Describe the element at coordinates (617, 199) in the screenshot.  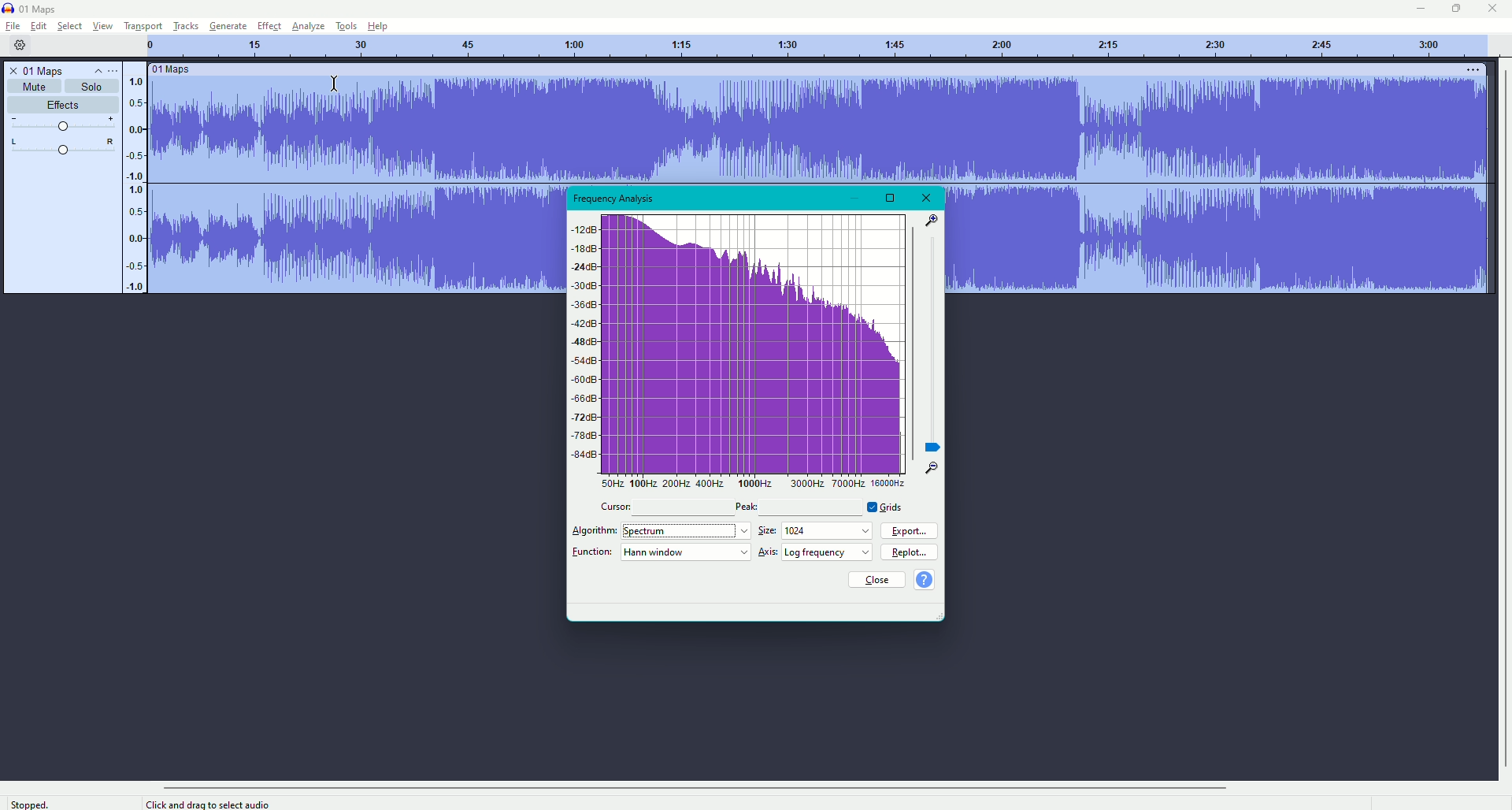
I see `Frequency Analysis` at that location.